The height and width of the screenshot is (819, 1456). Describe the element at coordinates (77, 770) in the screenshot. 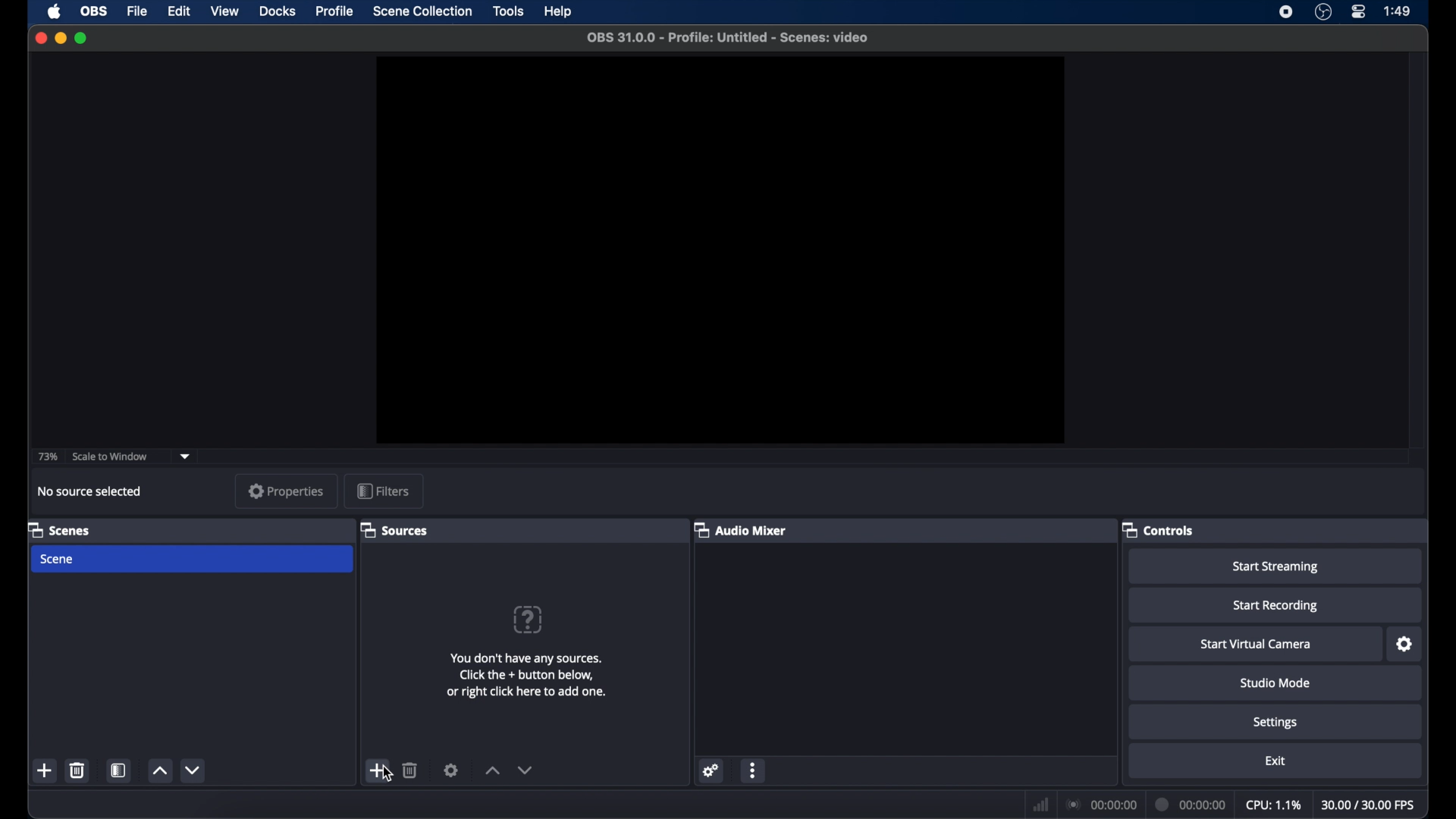

I see `delete` at that location.